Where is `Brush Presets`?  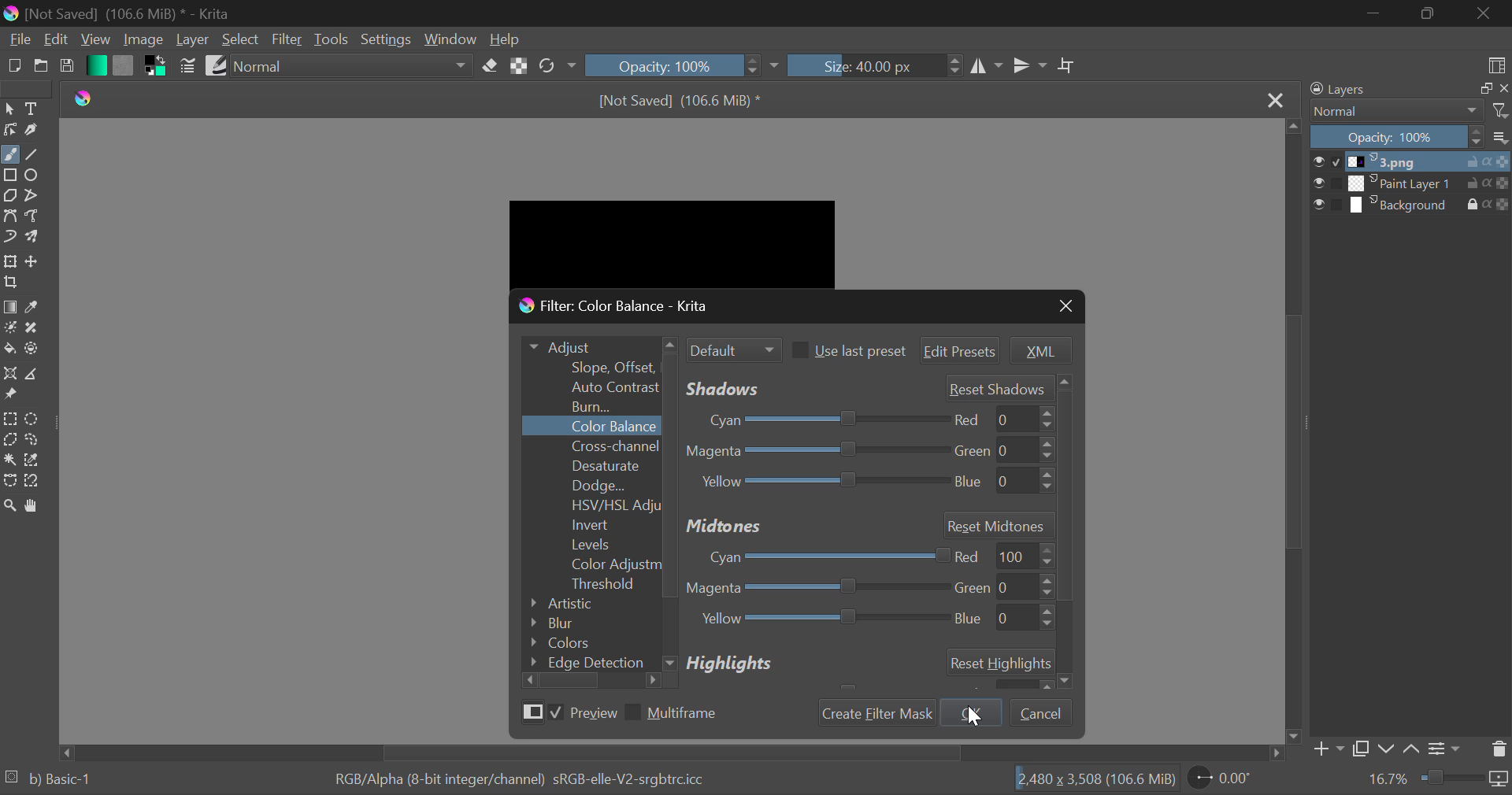
Brush Presets is located at coordinates (217, 65).